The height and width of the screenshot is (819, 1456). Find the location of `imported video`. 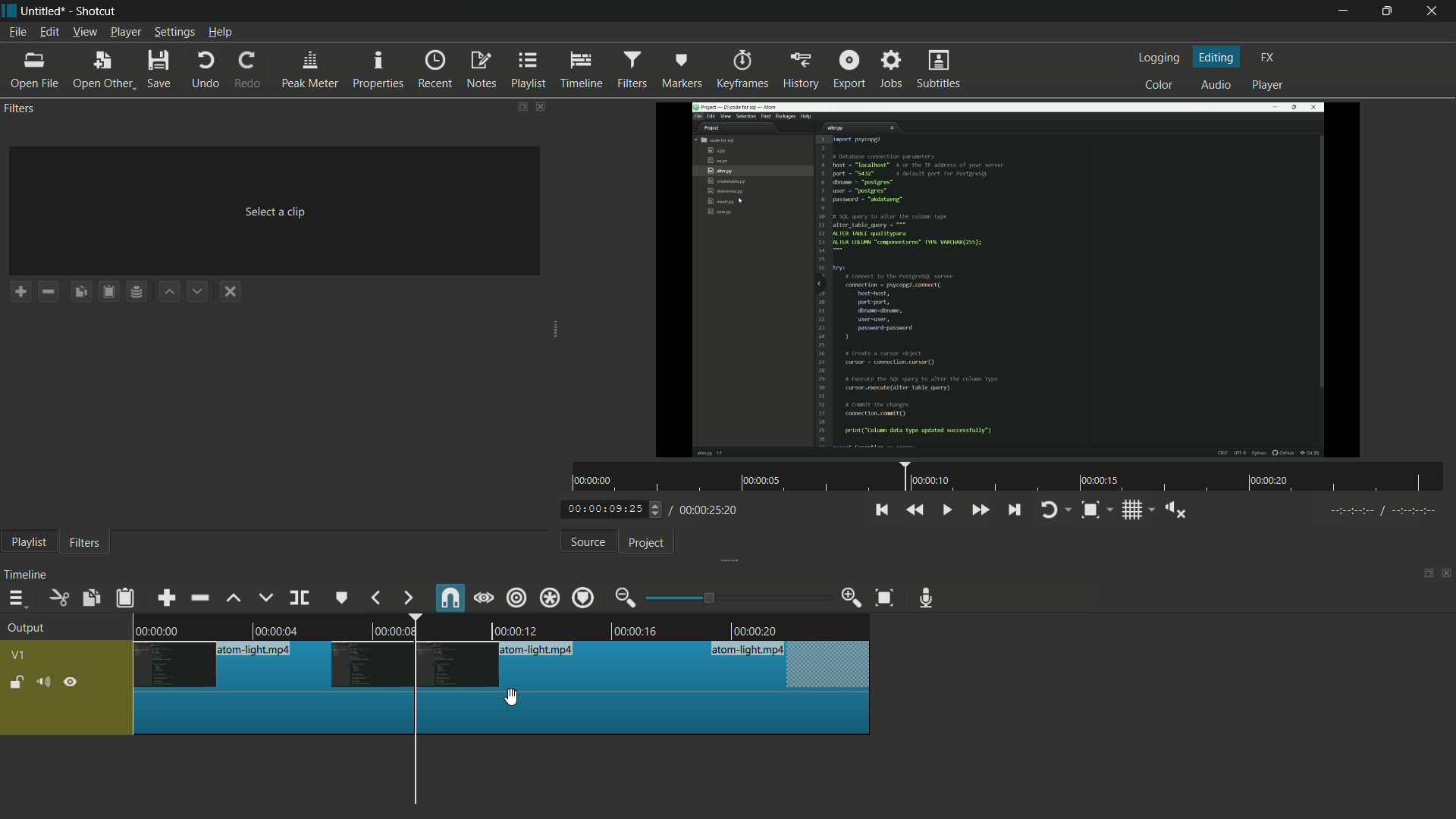

imported video is located at coordinates (1012, 280).